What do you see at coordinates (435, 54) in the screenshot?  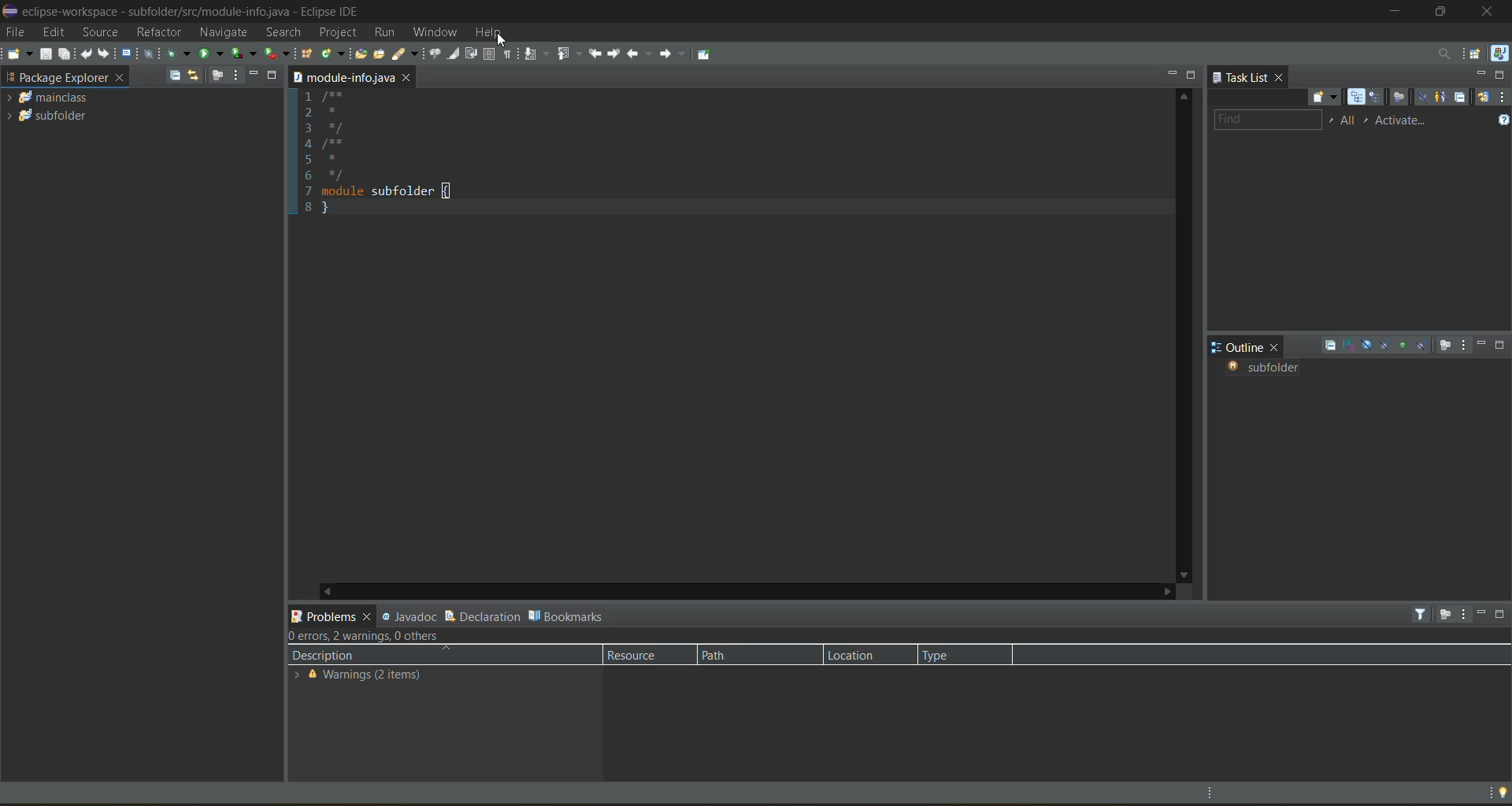 I see `toggle java editor breadcrumb` at bounding box center [435, 54].